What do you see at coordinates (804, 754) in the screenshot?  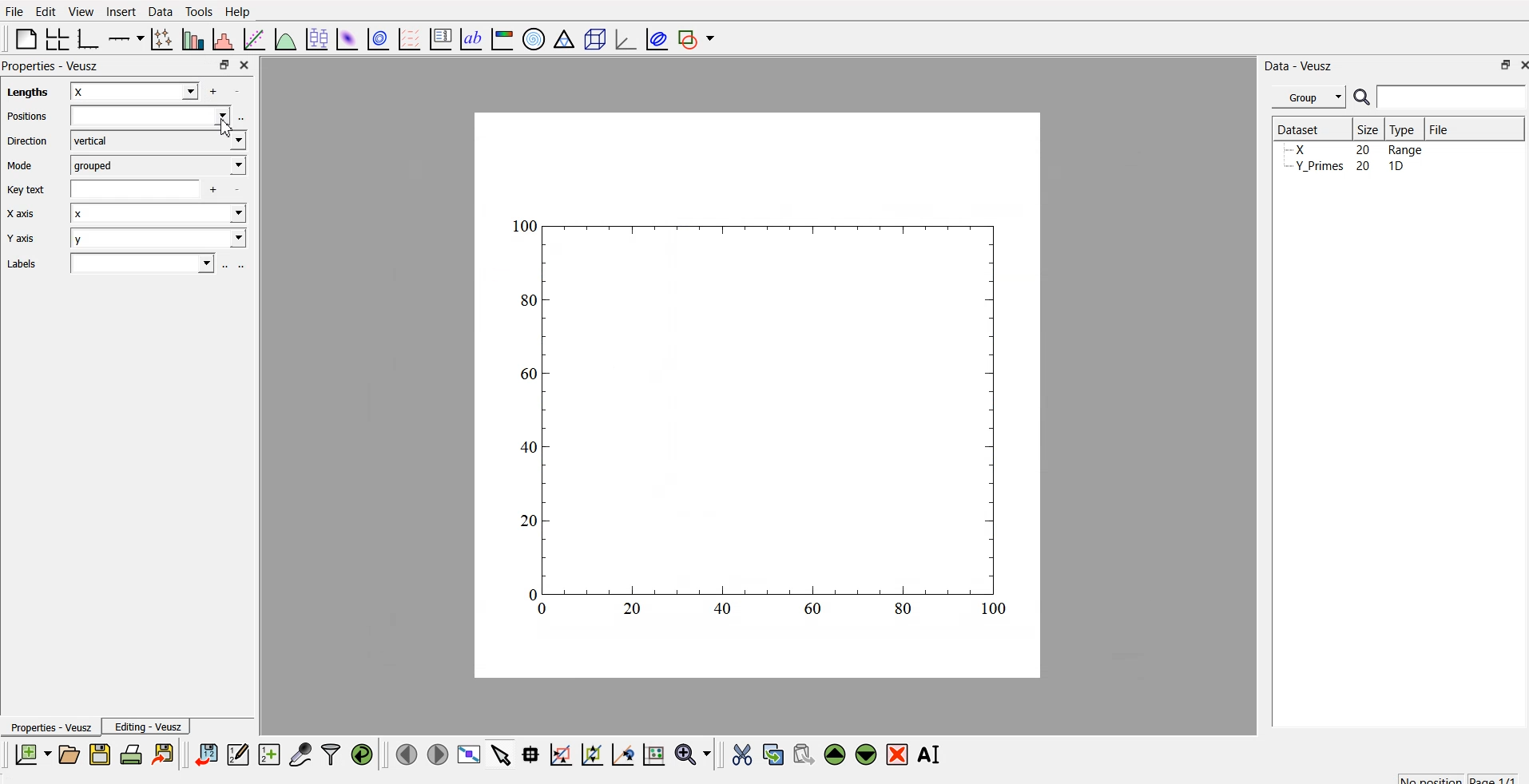 I see `paste the widget from the clipboard` at bounding box center [804, 754].